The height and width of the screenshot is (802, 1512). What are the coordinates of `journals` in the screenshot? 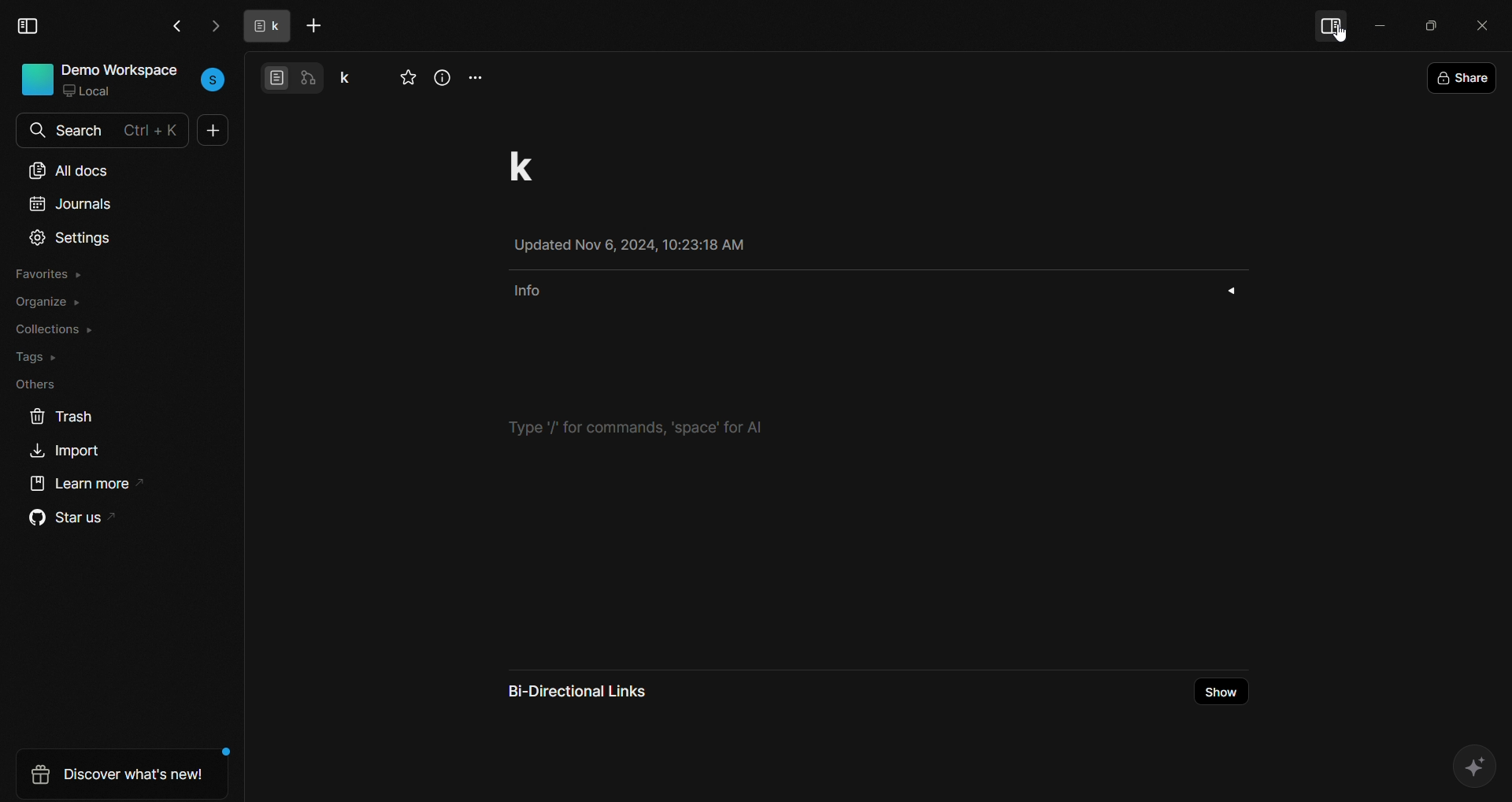 It's located at (69, 207).